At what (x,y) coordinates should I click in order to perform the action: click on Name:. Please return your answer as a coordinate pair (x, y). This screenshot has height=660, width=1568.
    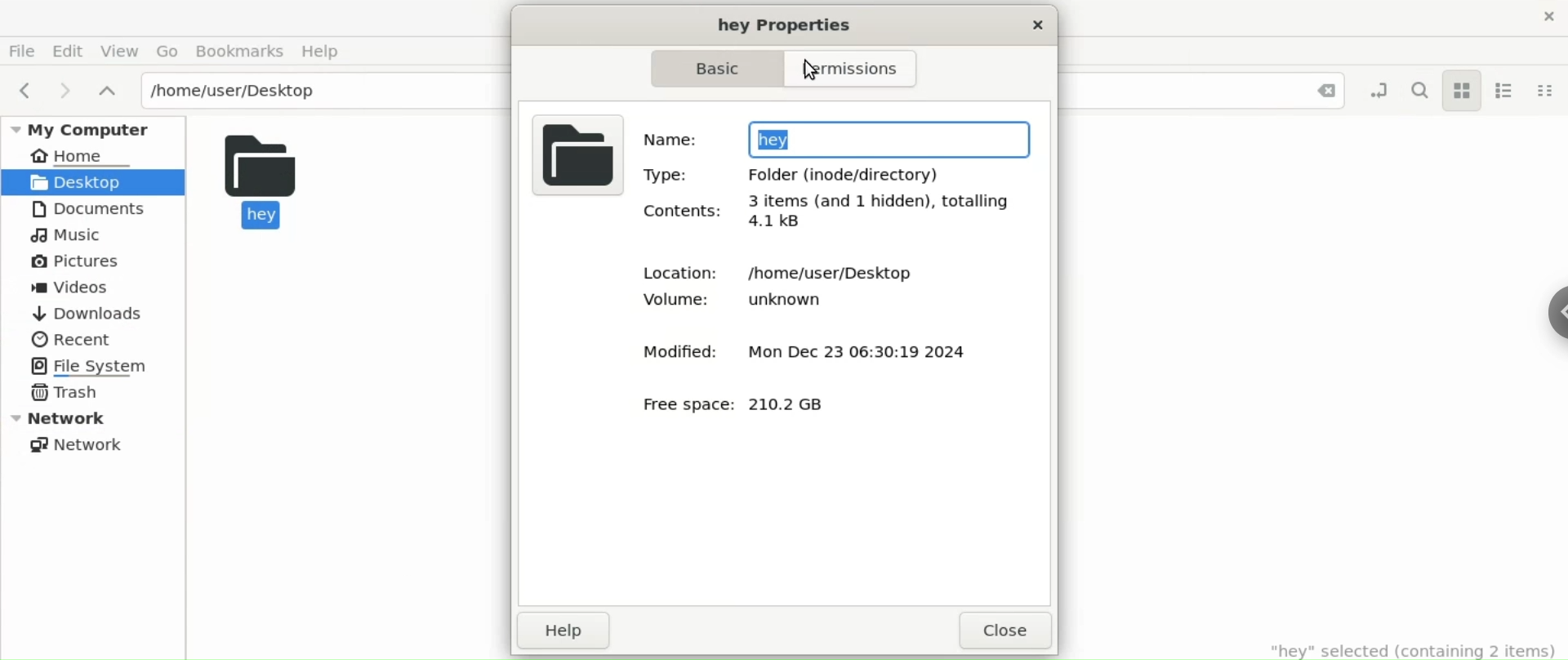
    Looking at the image, I should click on (676, 139).